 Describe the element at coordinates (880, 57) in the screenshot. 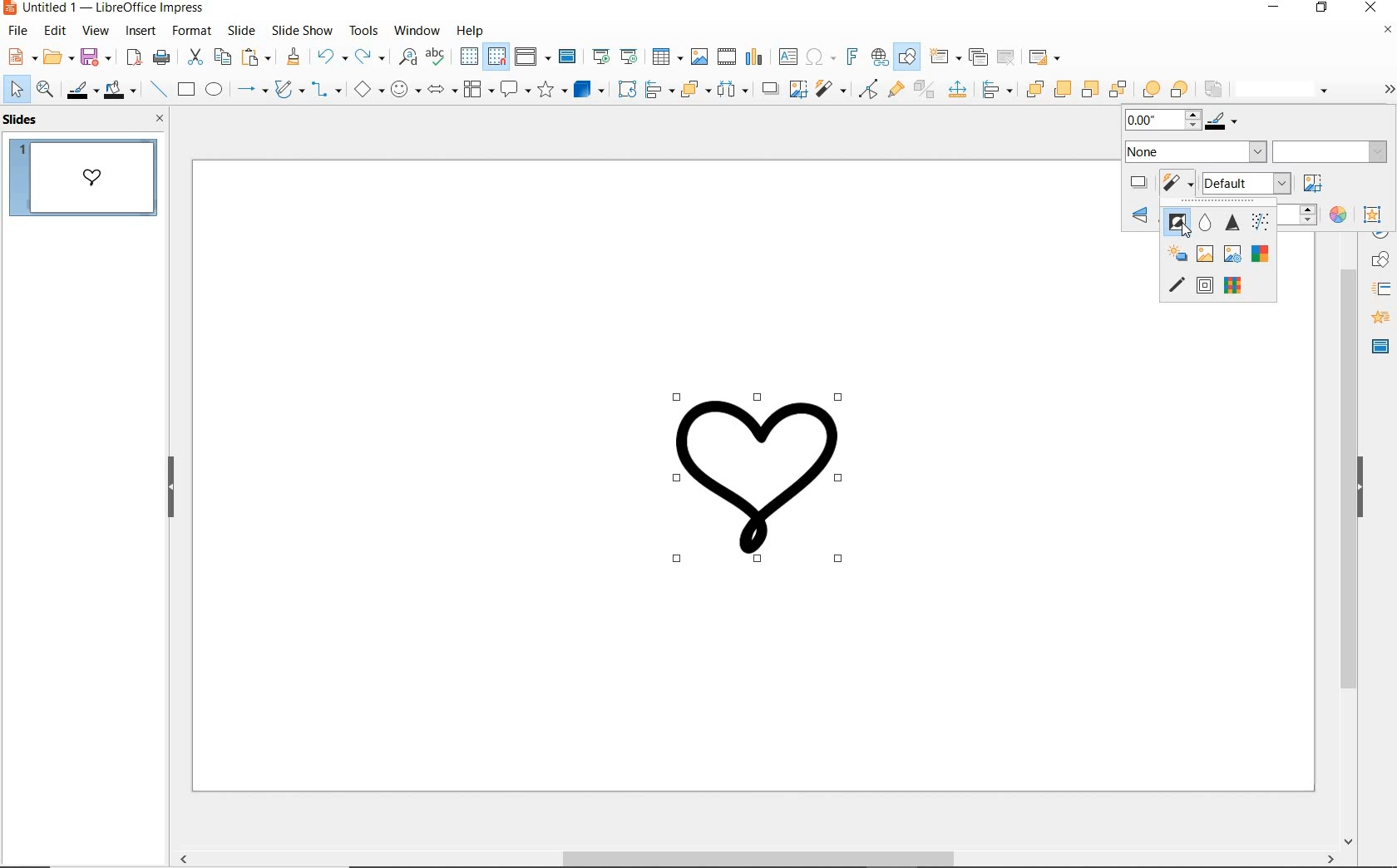

I see `insert hyperlink` at that location.